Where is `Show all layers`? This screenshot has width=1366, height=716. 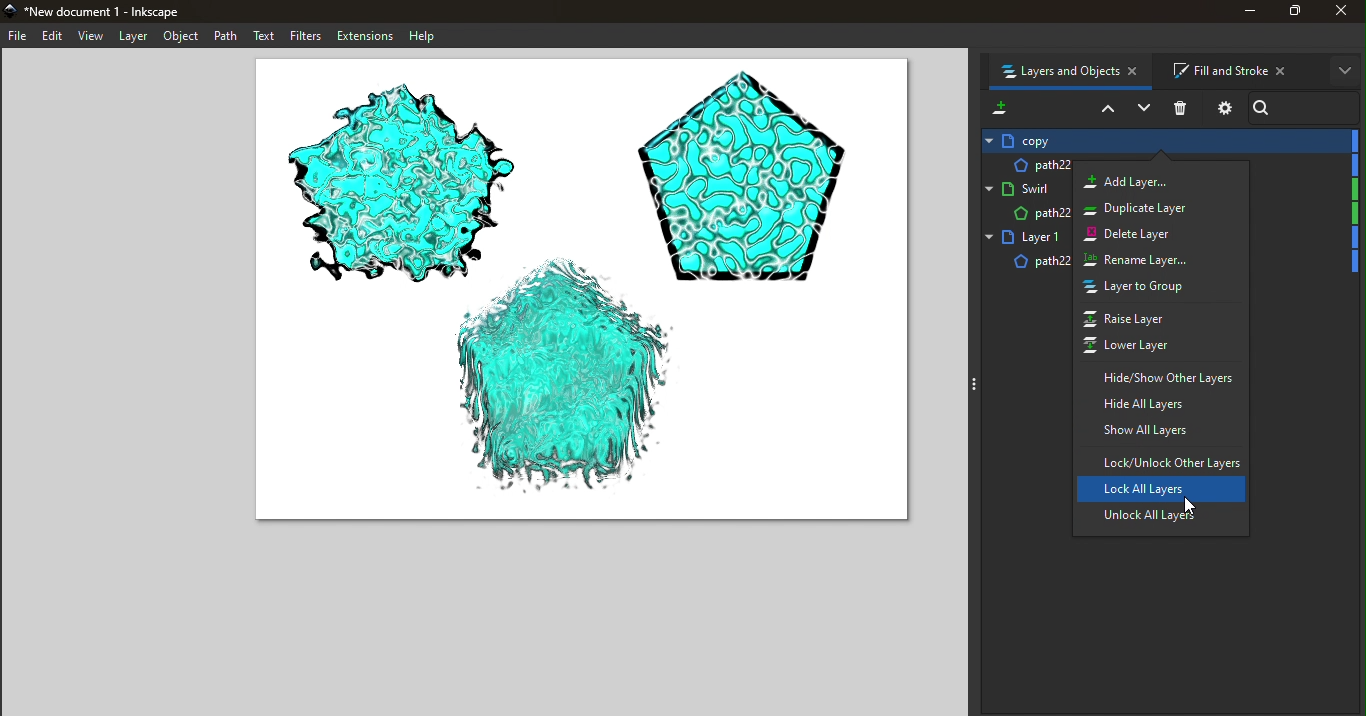
Show all layers is located at coordinates (1159, 431).